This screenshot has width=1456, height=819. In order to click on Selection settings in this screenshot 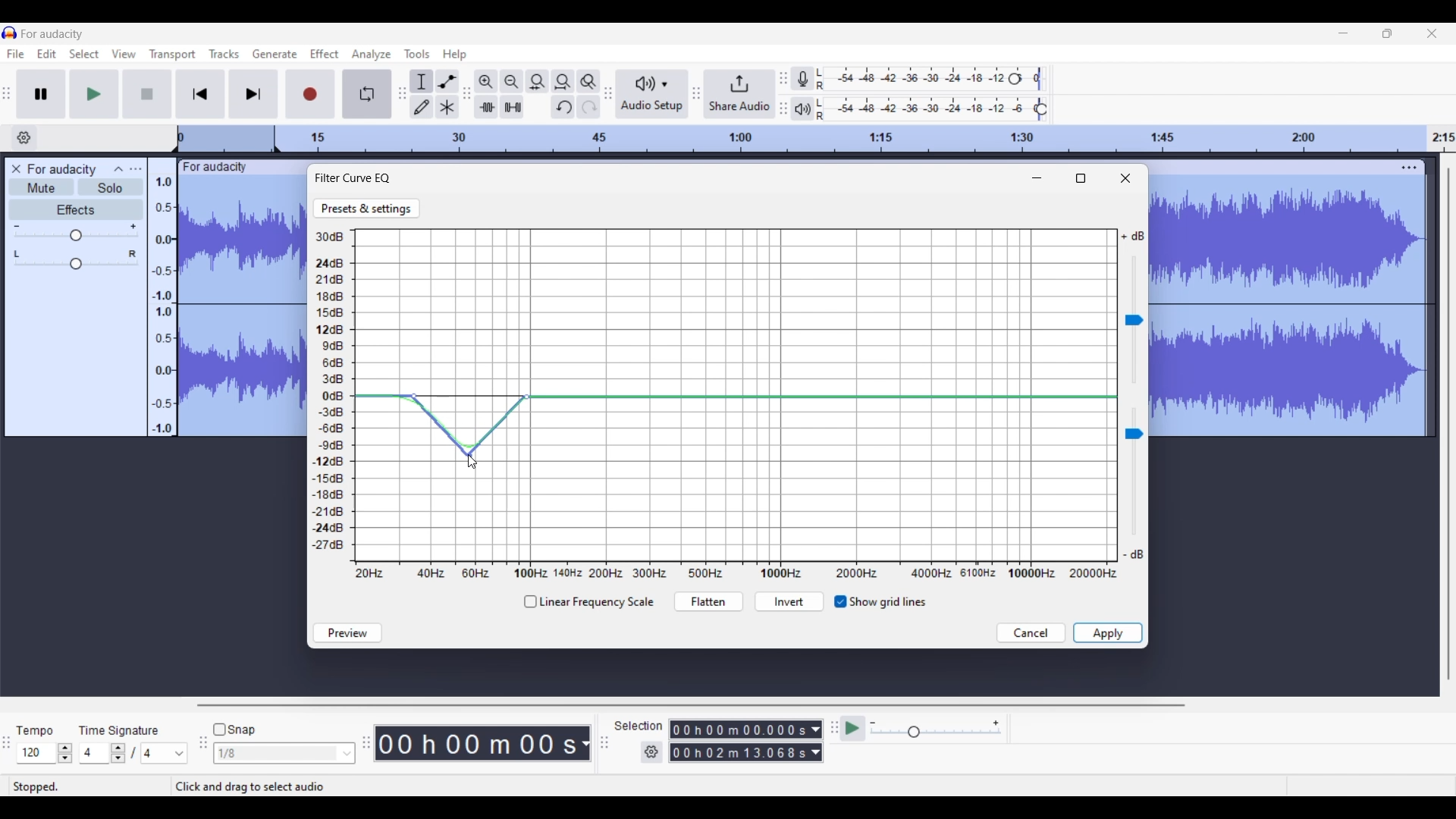, I will do `click(651, 752)`.